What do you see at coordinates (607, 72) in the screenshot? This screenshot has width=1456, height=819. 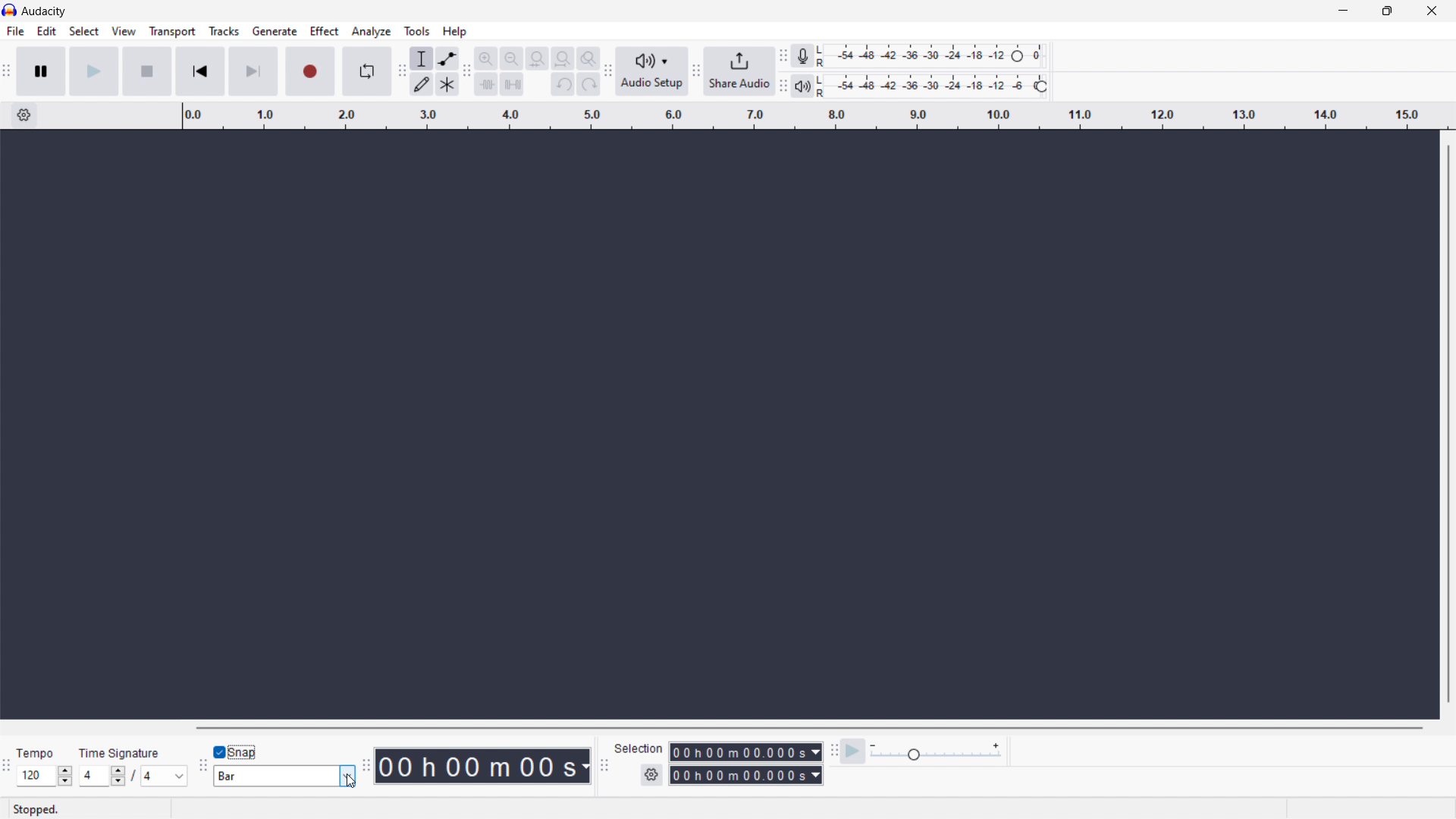 I see `audio setup toolbar` at bounding box center [607, 72].